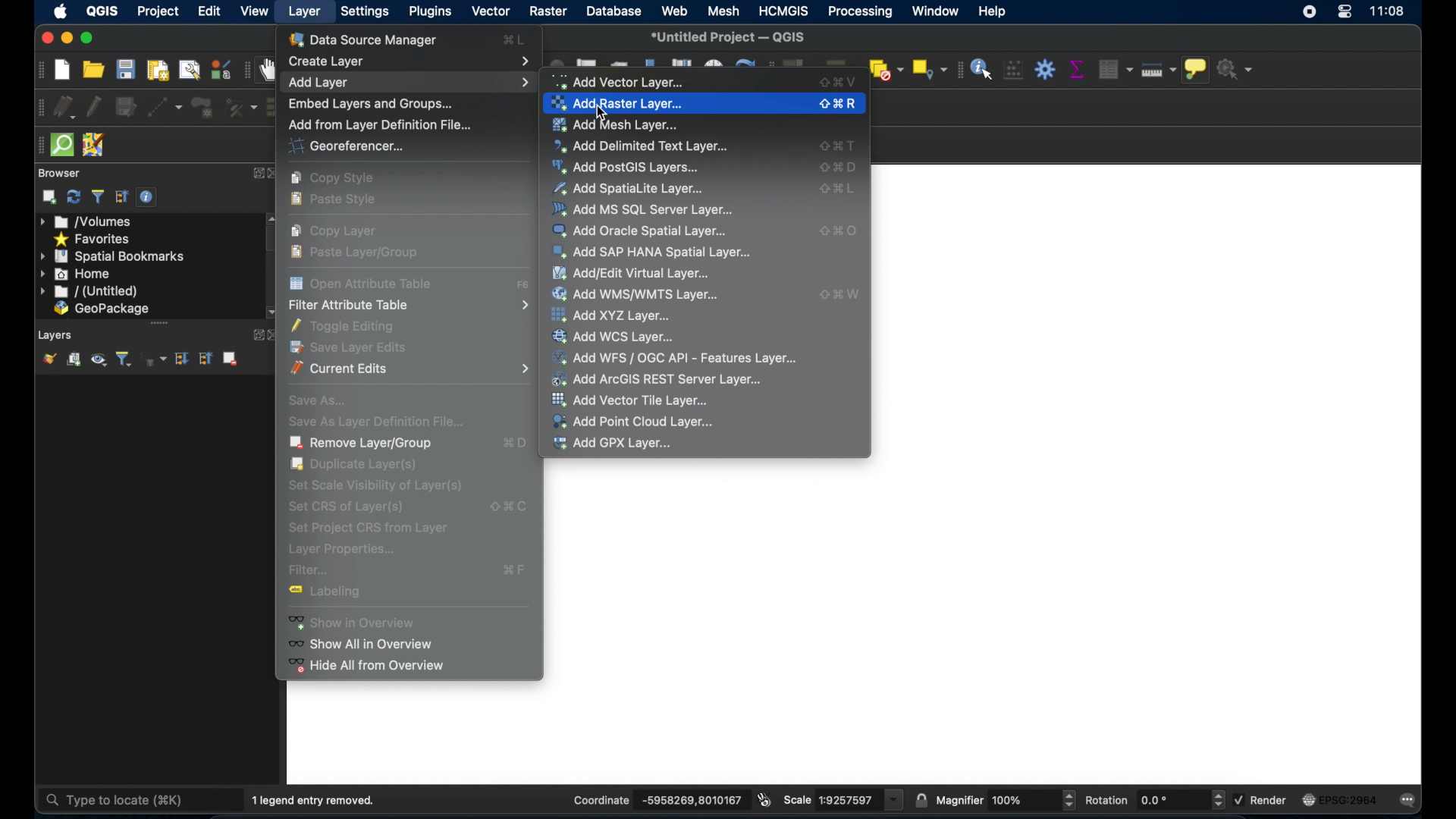 Image resolution: width=1456 pixels, height=819 pixels. Describe the element at coordinates (357, 465) in the screenshot. I see `duplicate layers` at that location.